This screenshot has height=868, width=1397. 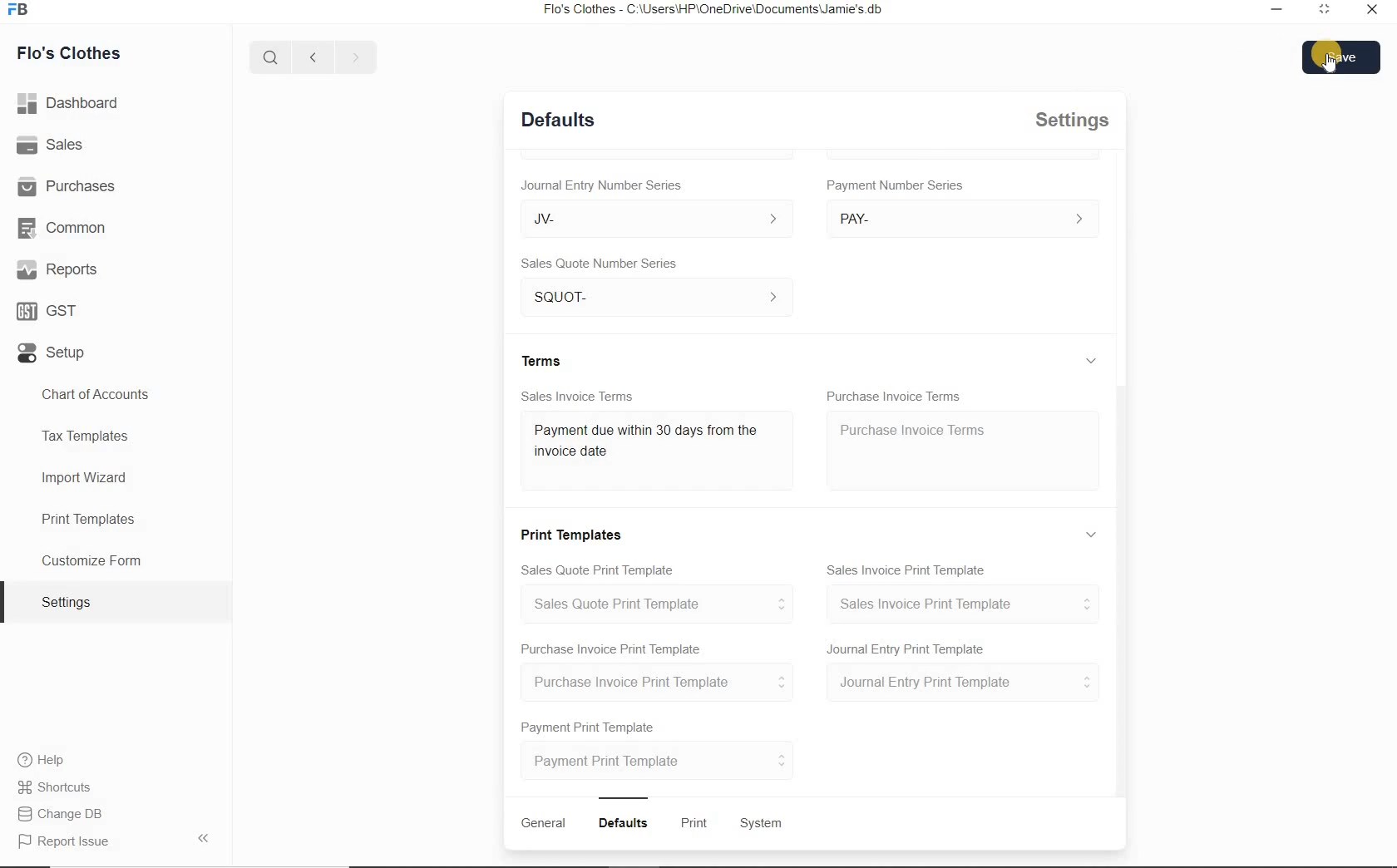 What do you see at coordinates (115, 839) in the screenshot?
I see `Report Issue` at bounding box center [115, 839].